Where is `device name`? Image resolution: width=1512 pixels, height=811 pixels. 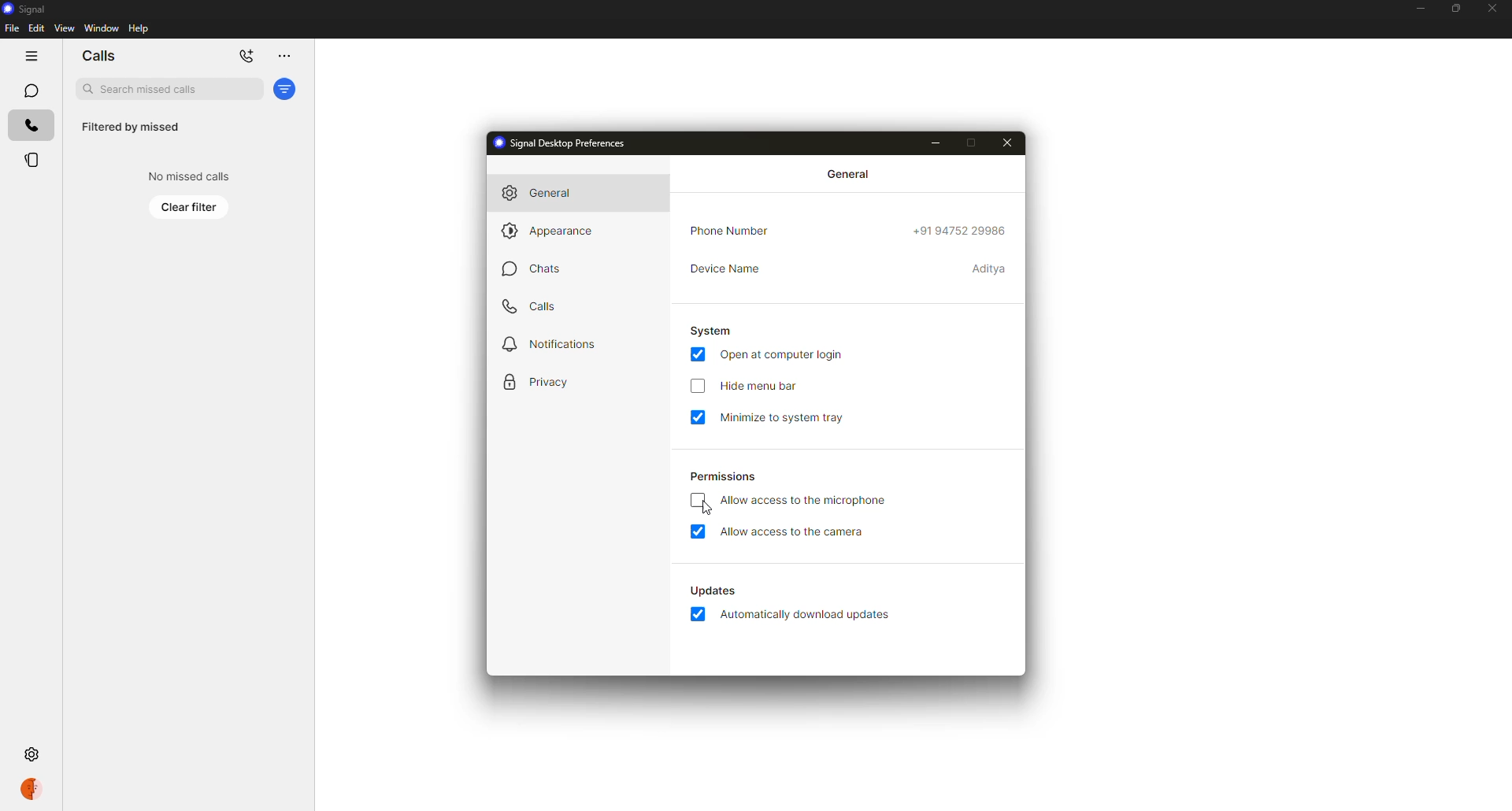 device name is located at coordinates (990, 268).